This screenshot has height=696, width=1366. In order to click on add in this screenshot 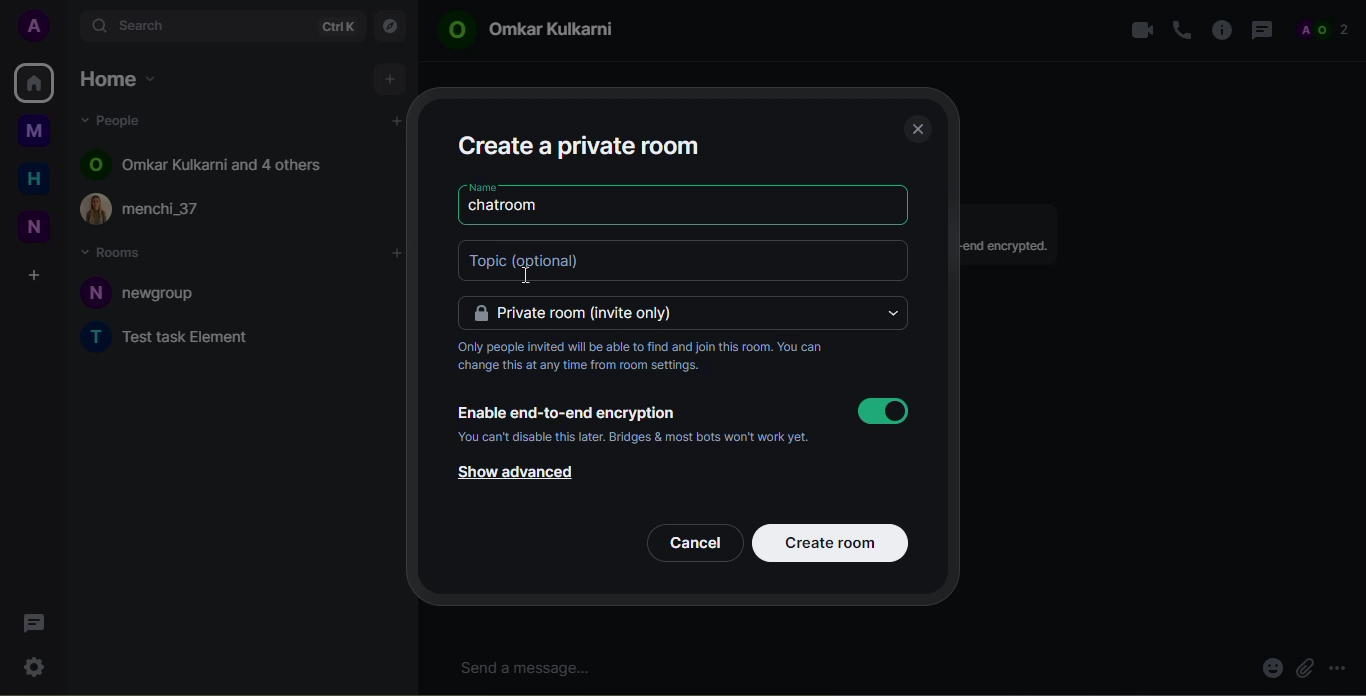, I will do `click(390, 78)`.